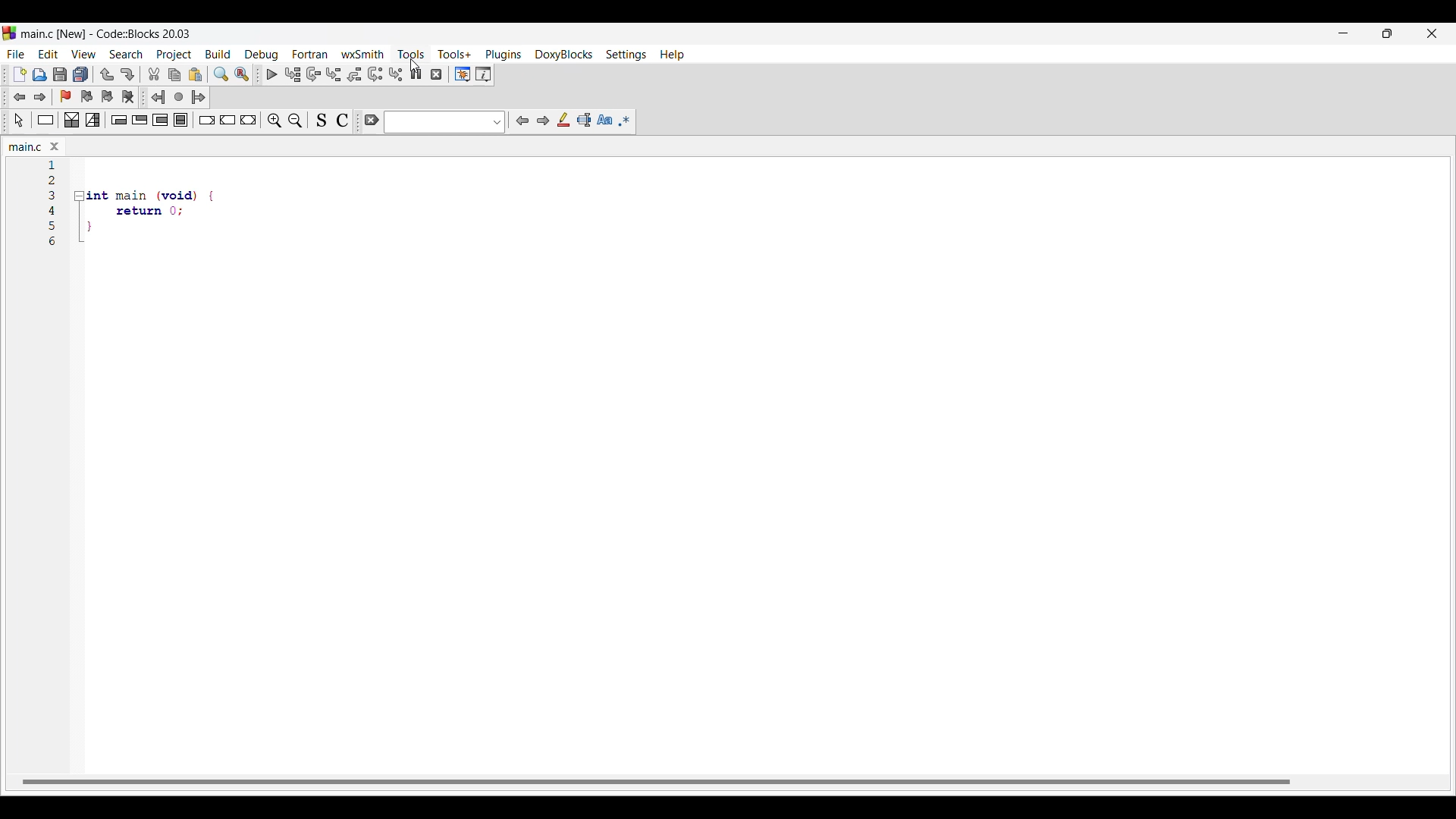  I want to click on Debug menu, so click(262, 55).